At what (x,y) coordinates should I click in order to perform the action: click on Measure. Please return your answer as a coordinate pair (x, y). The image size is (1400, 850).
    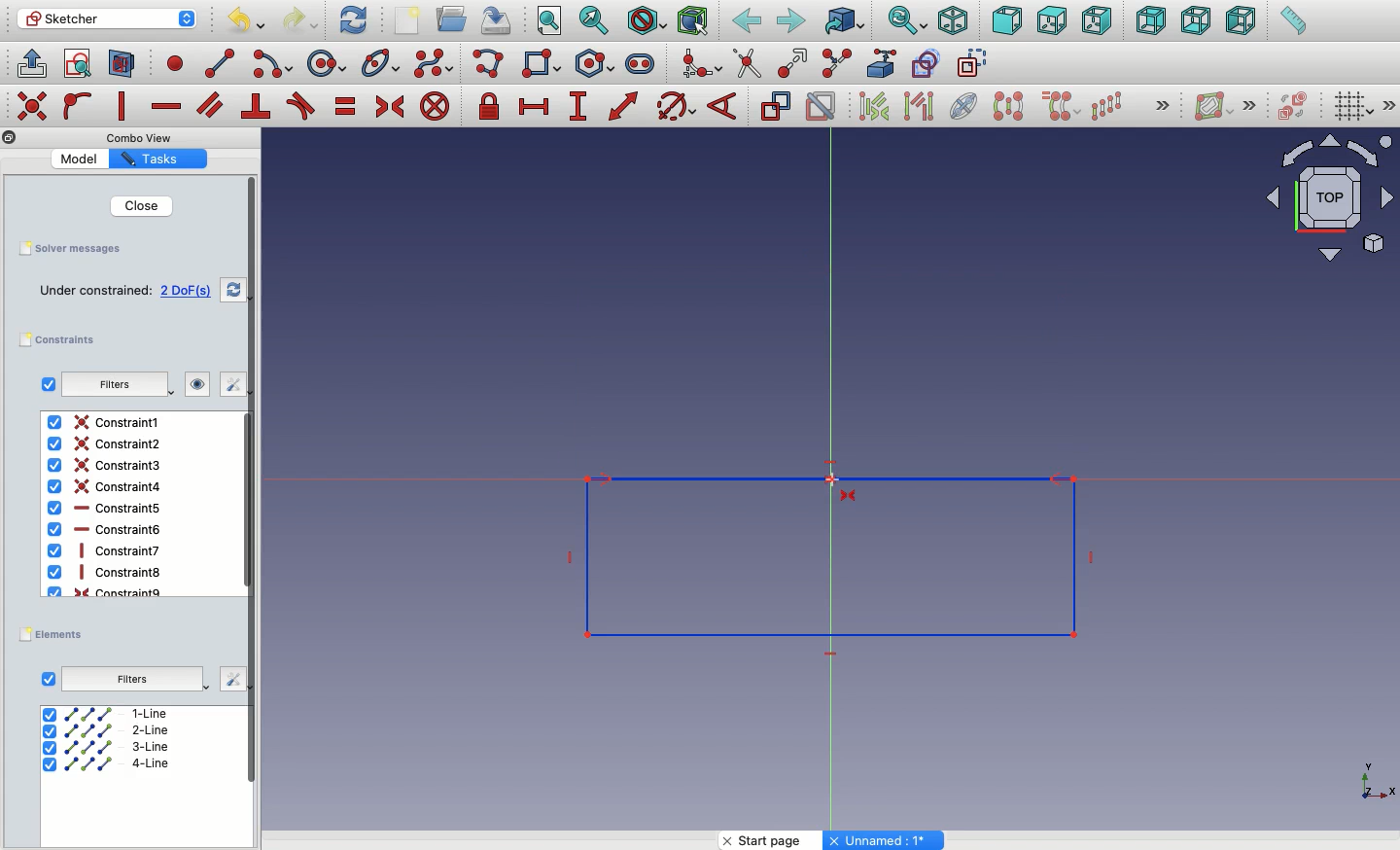
    Looking at the image, I should click on (1292, 22).